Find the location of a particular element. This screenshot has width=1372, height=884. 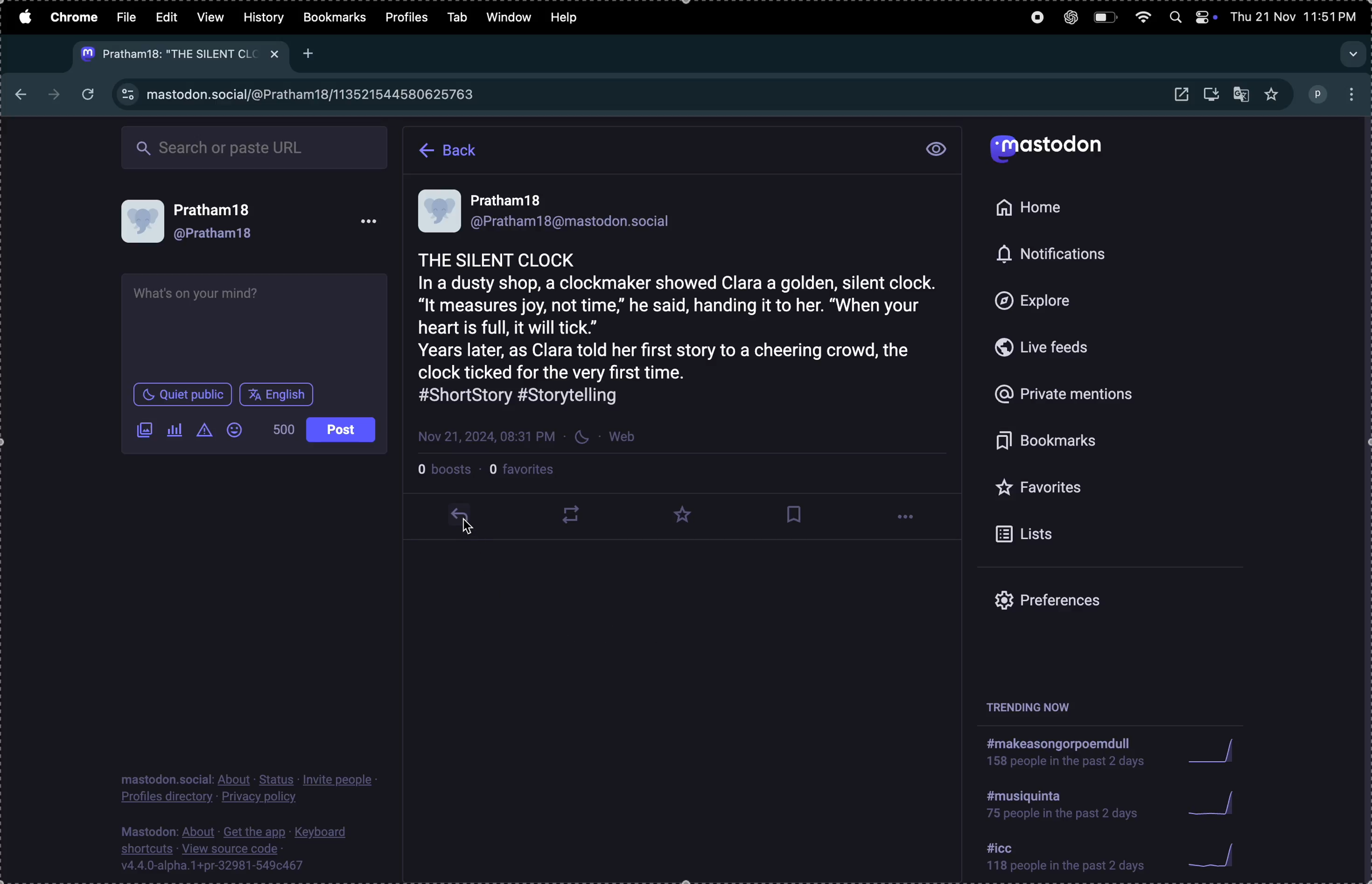

search tabs is located at coordinates (1351, 52).